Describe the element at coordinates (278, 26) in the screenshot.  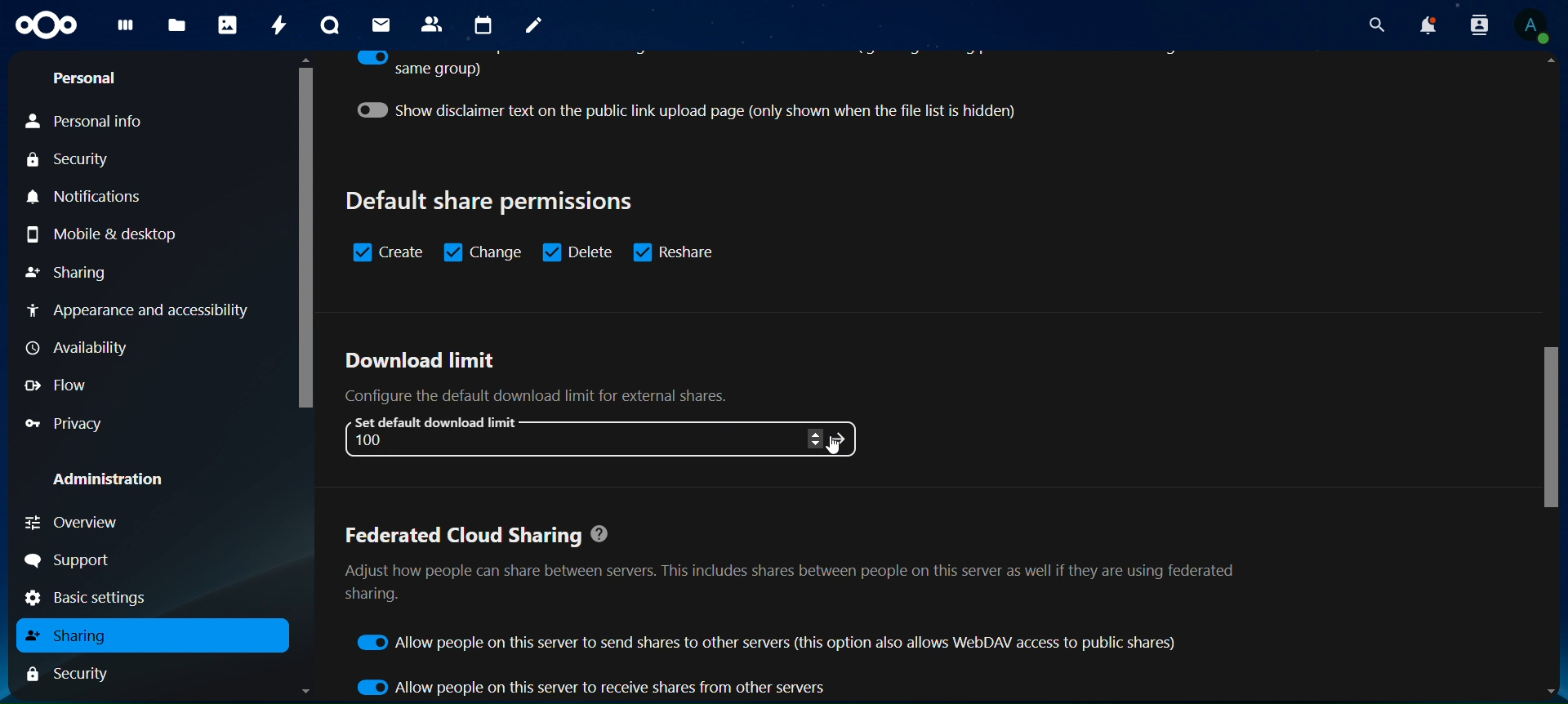
I see `activity` at that location.